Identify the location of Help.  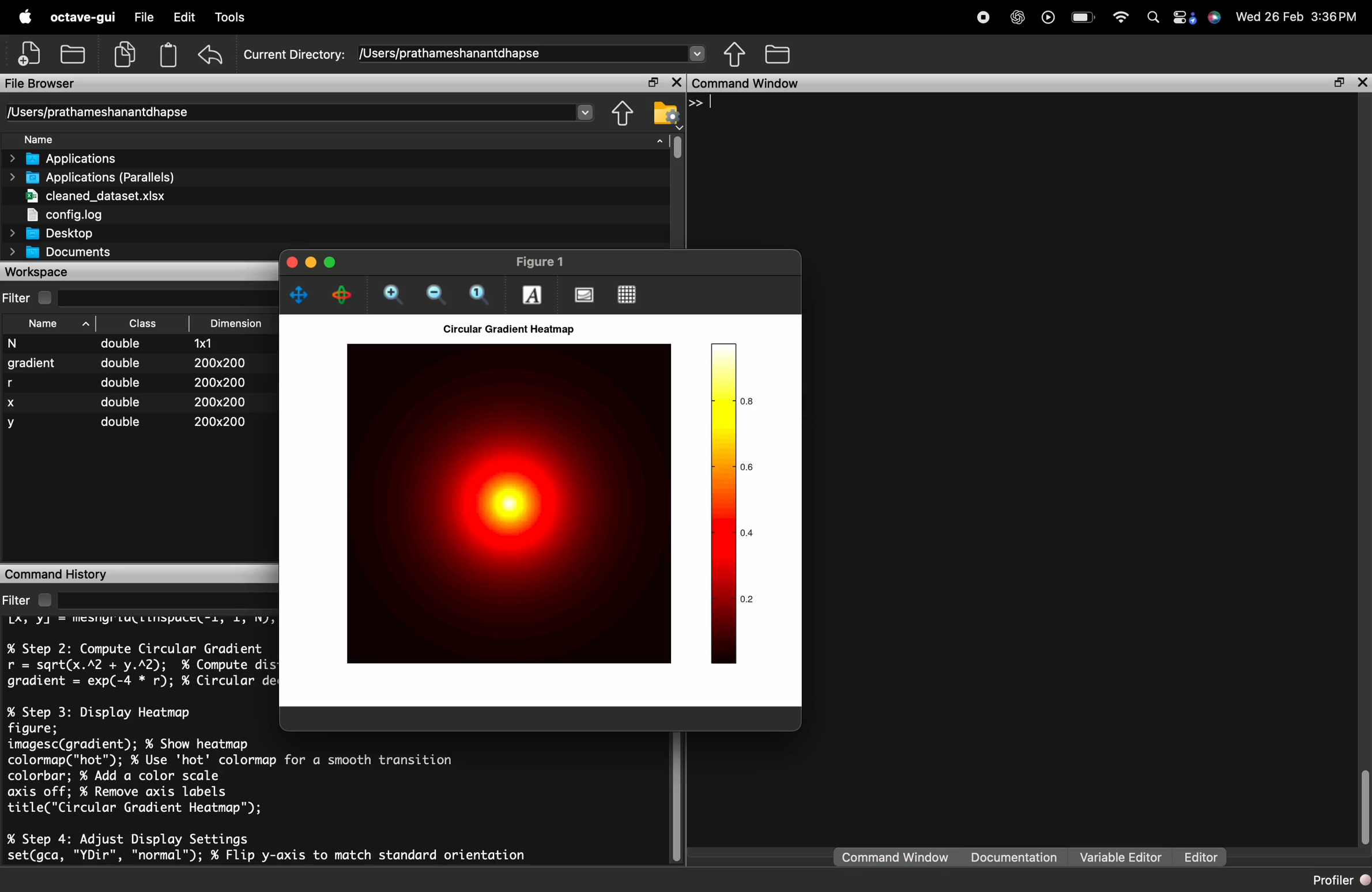
(398, 17).